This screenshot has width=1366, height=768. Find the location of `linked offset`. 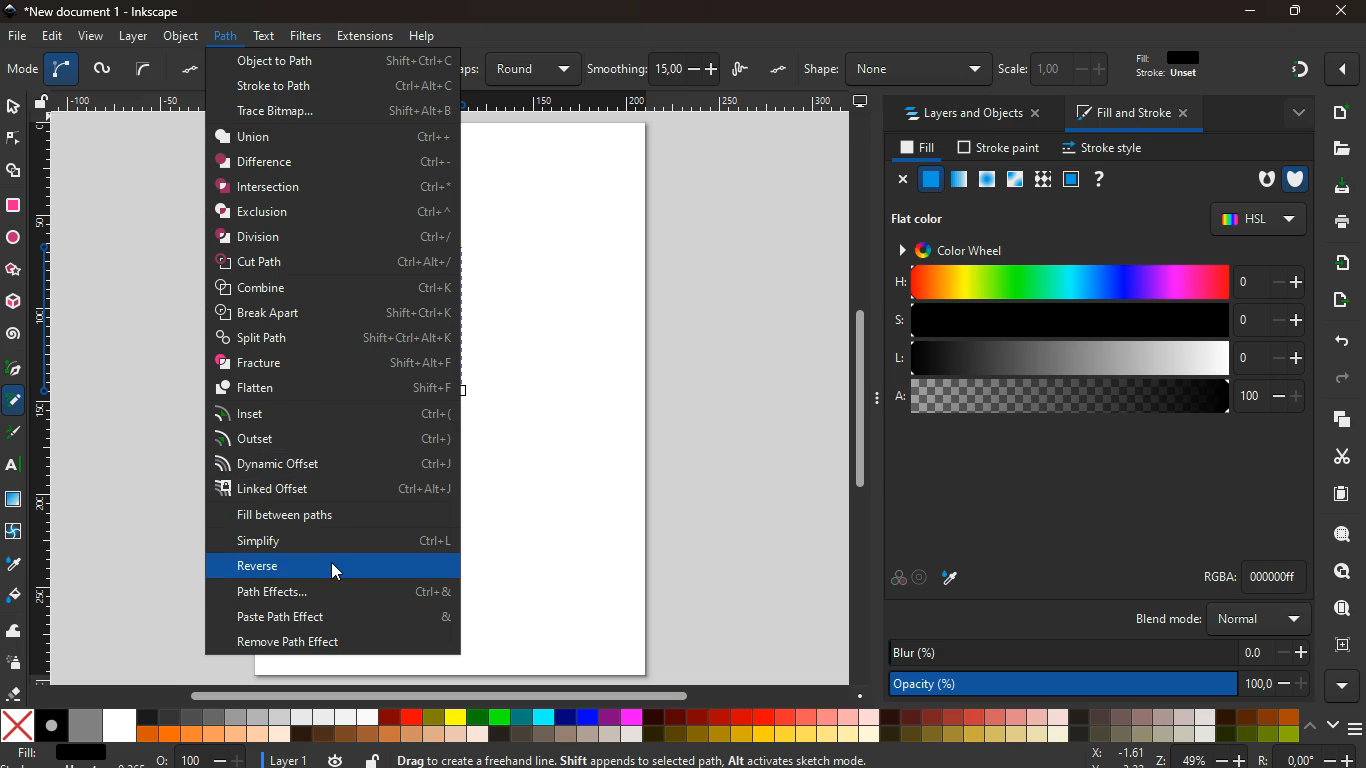

linked offset is located at coordinates (335, 490).